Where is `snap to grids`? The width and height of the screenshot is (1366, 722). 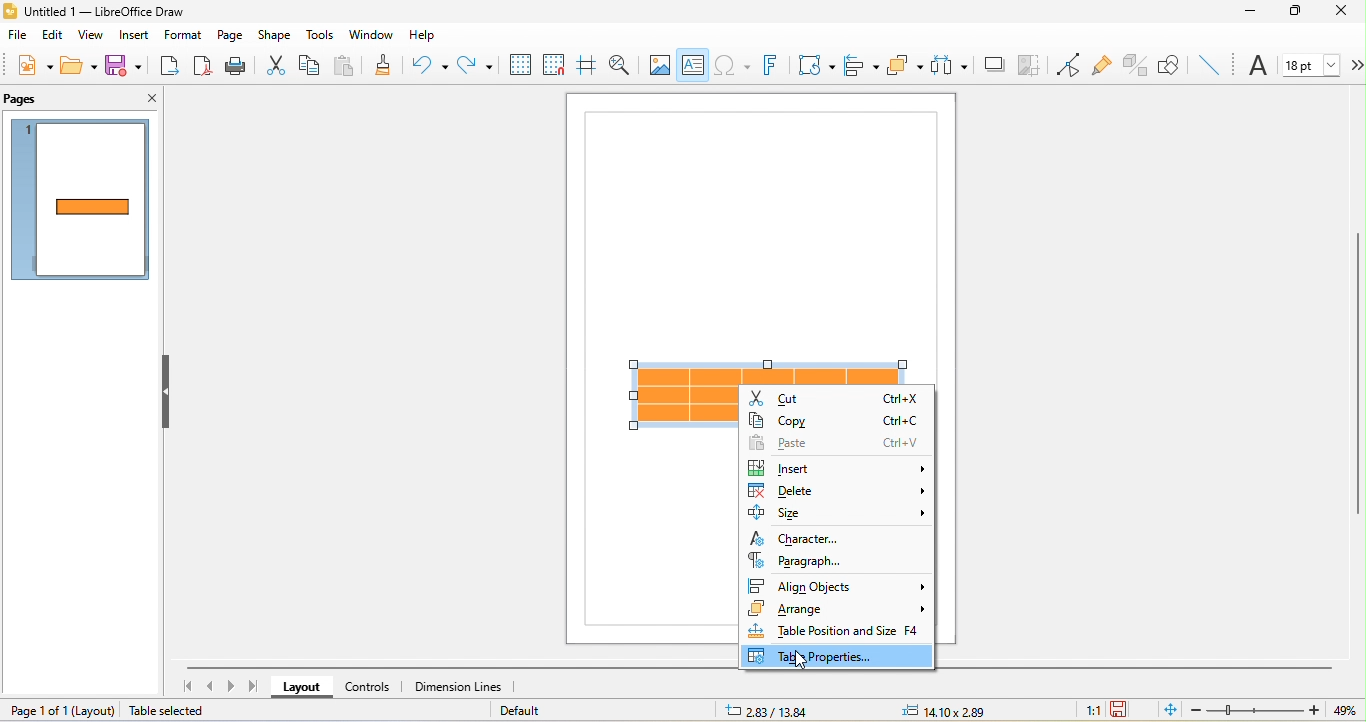 snap to grids is located at coordinates (555, 66).